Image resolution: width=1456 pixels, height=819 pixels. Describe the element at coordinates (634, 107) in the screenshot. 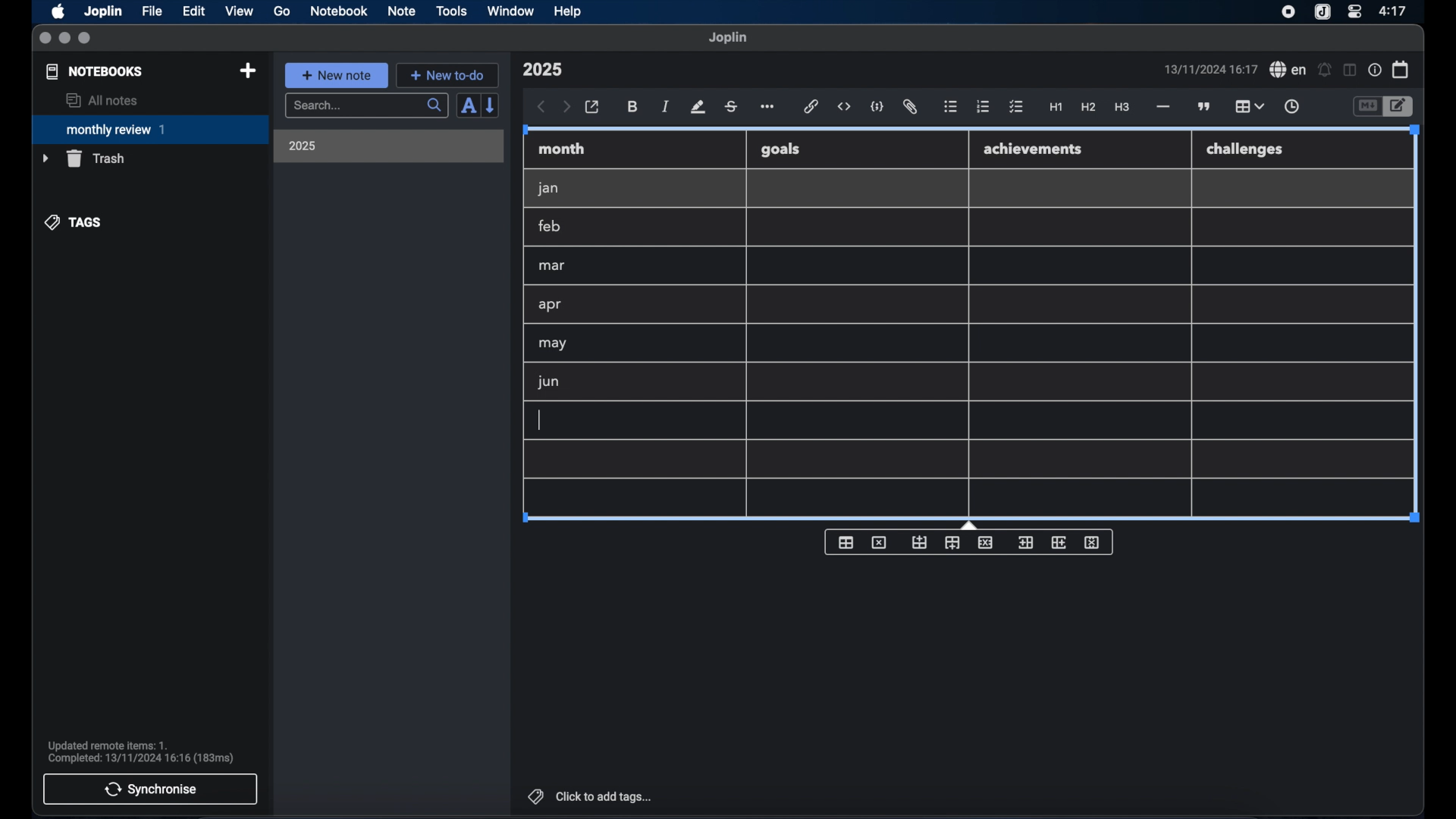

I see `bold` at that location.